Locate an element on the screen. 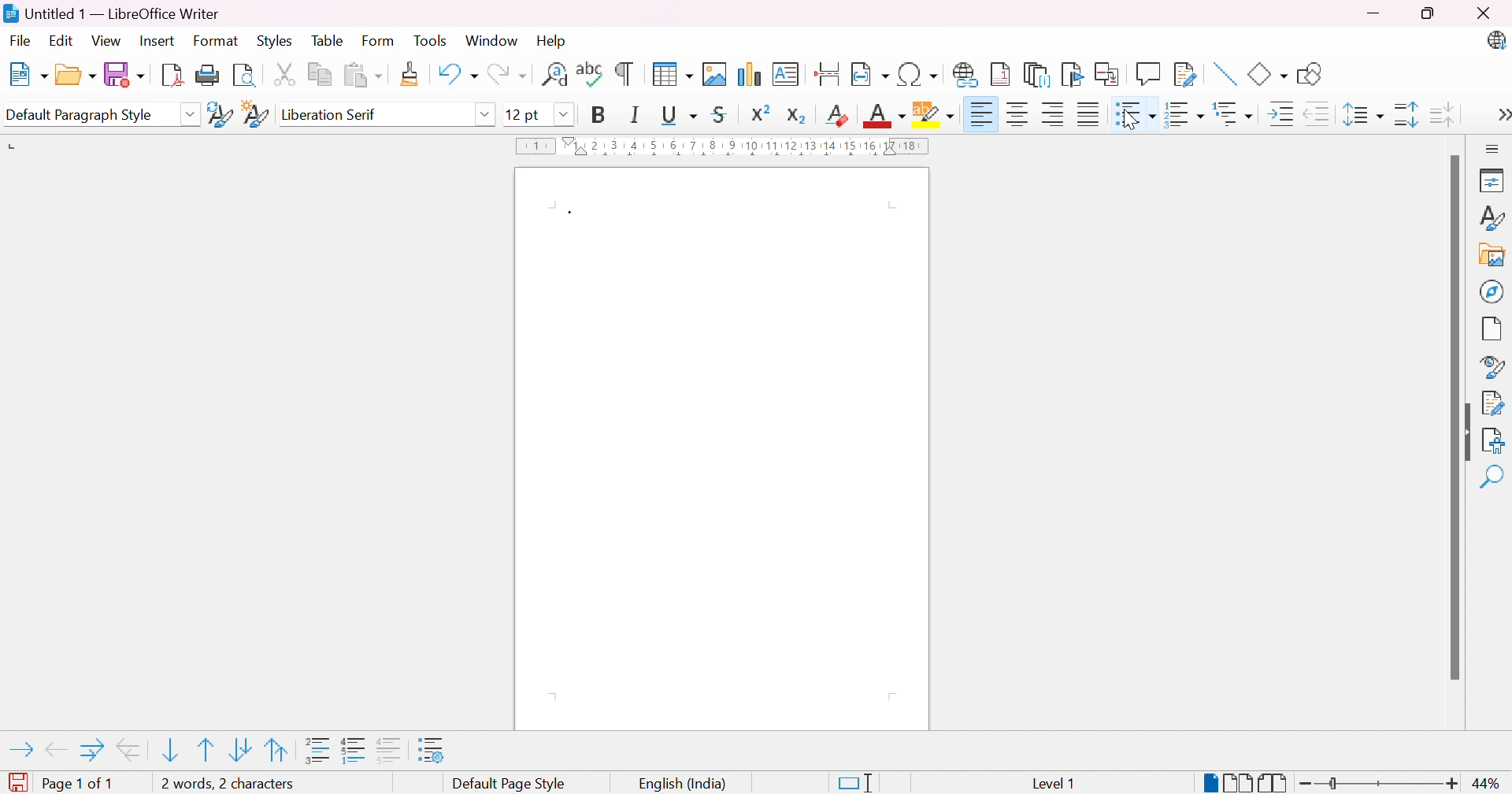 This screenshot has height=794, width=1512. Demote outline level with subpoints is located at coordinates (91, 751).